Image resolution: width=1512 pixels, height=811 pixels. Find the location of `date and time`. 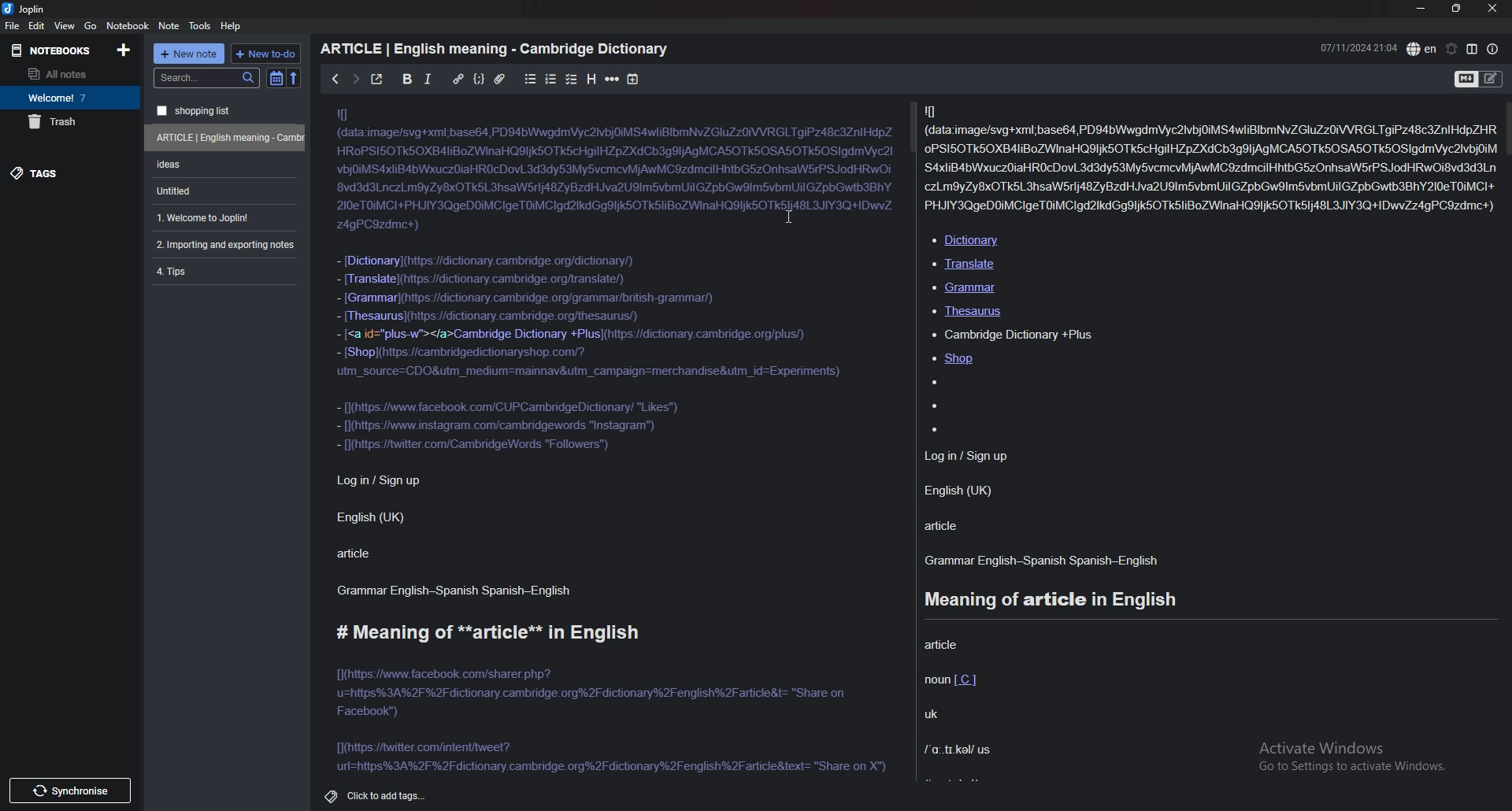

date and time is located at coordinates (1358, 47).